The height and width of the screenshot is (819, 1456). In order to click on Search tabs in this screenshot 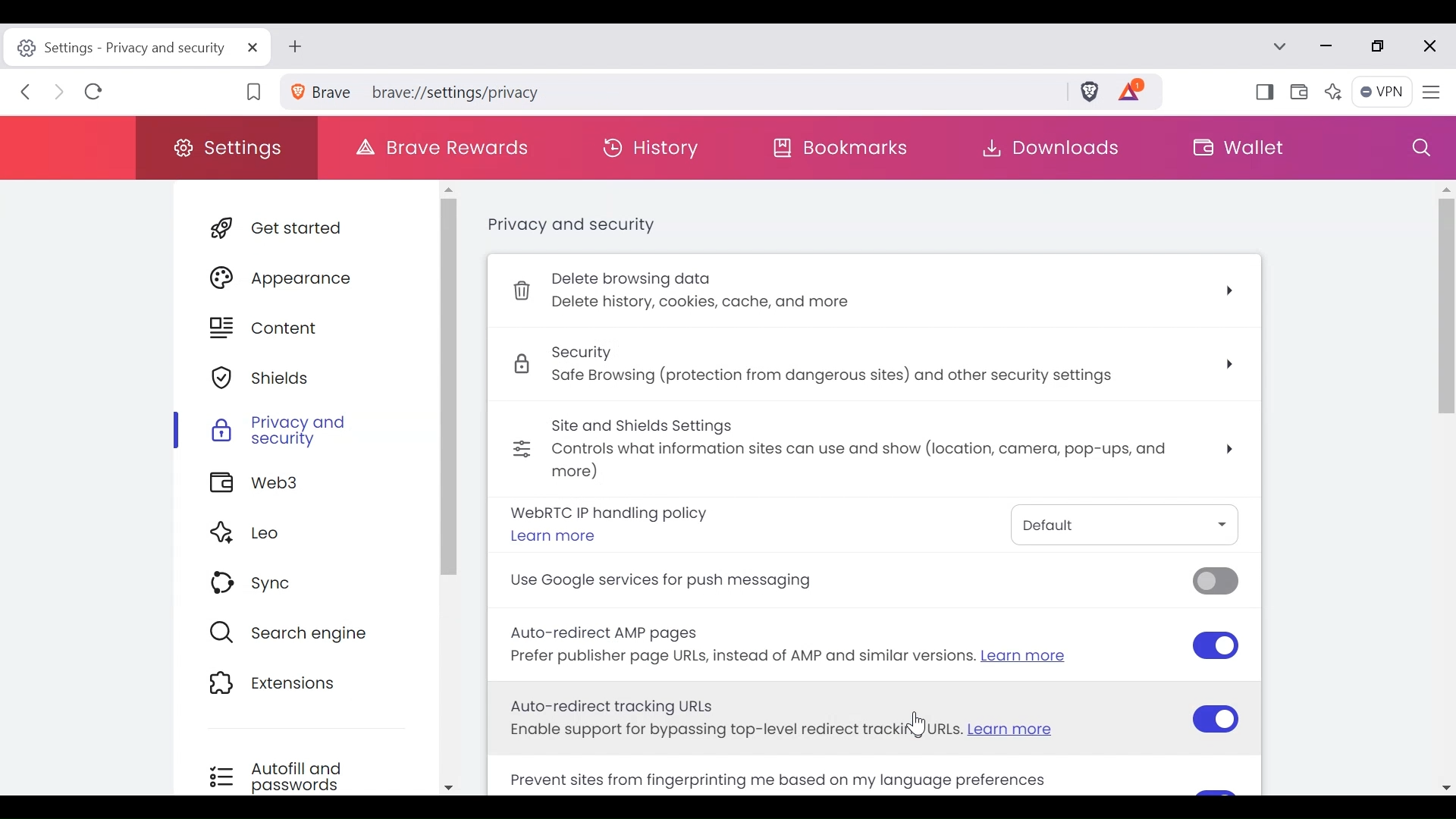, I will do `click(1284, 48)`.